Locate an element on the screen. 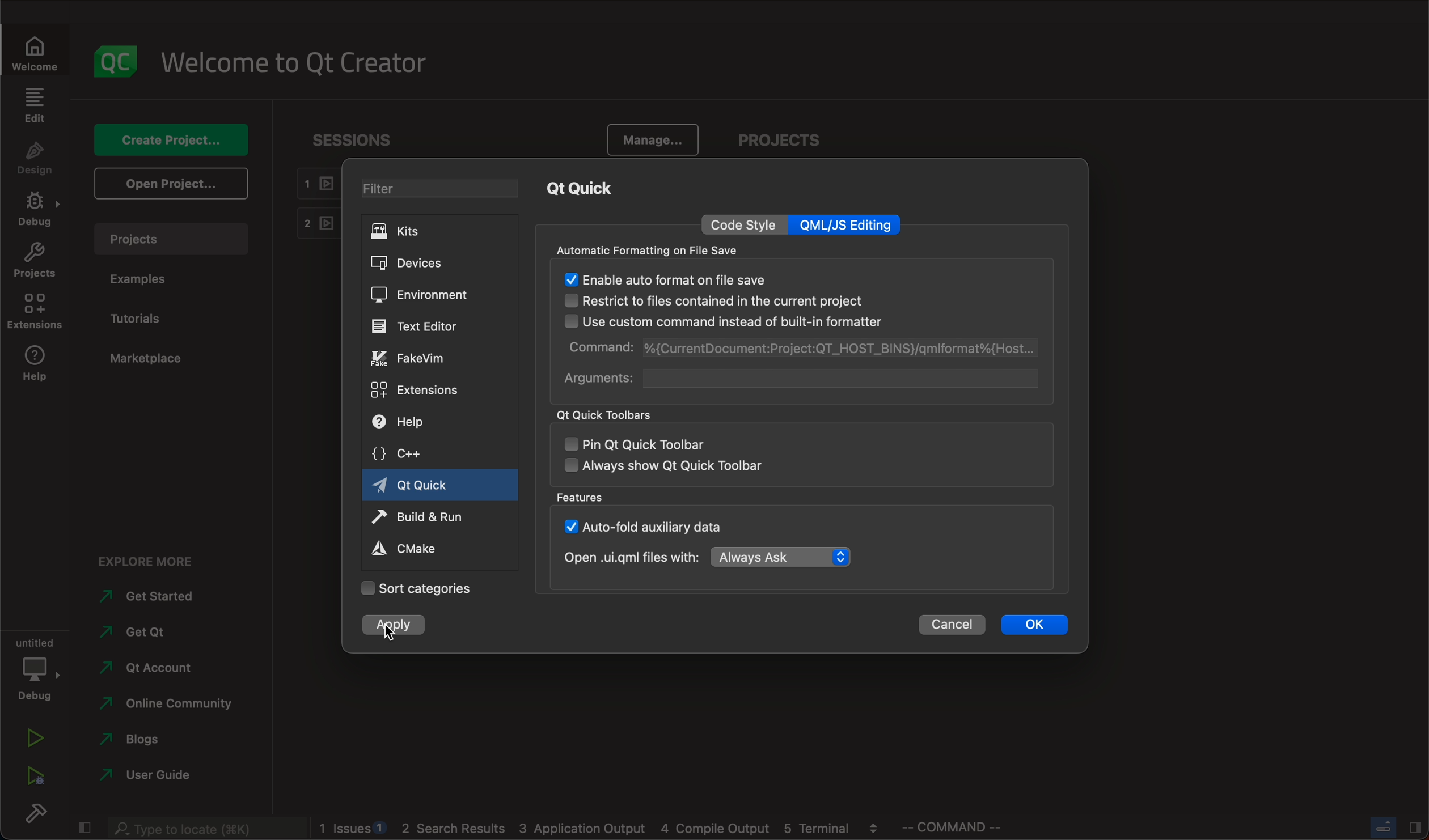 The image size is (1429, 840). clicked is located at coordinates (397, 626).